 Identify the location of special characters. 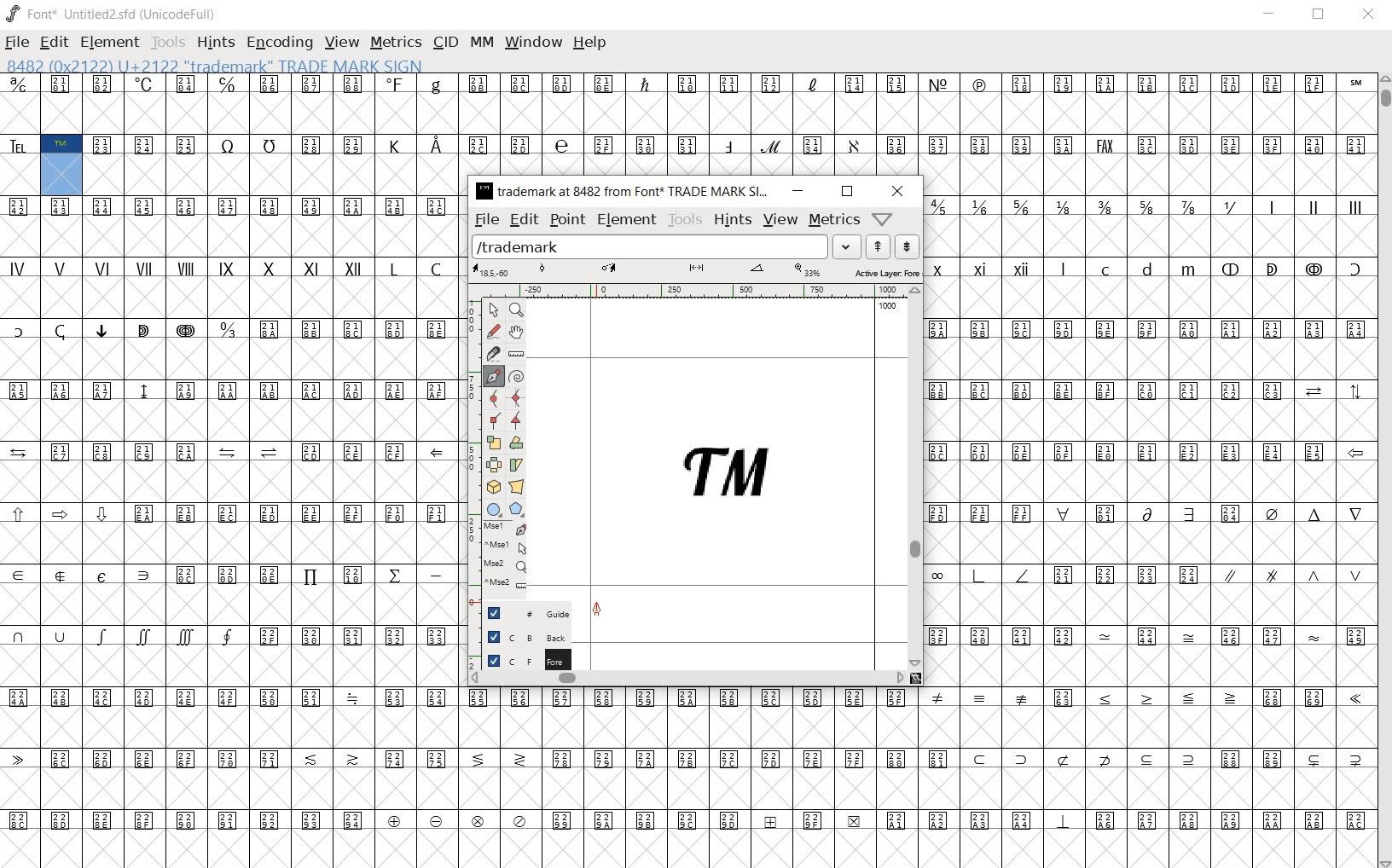
(1208, 286).